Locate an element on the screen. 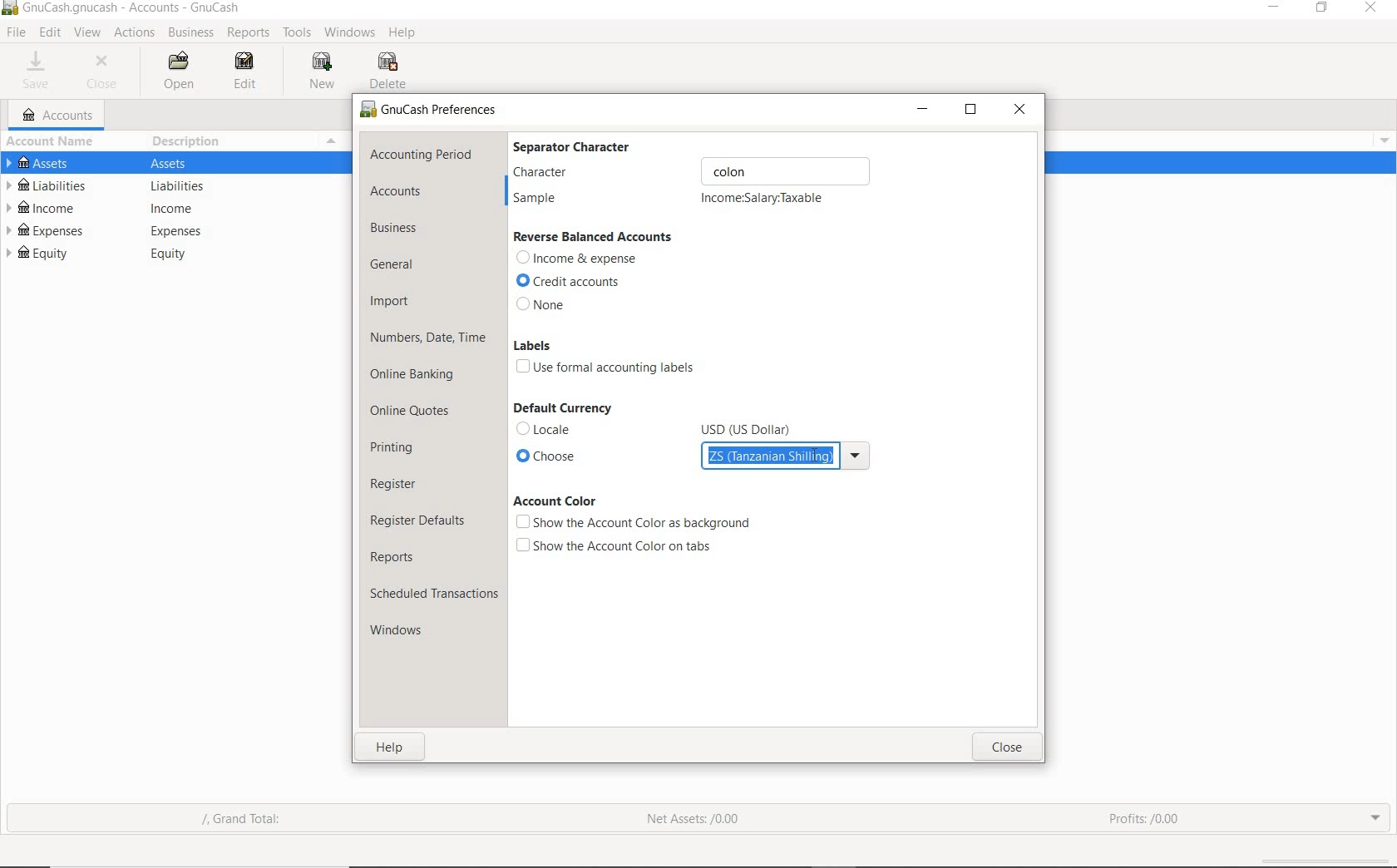  restore down is located at coordinates (971, 111).